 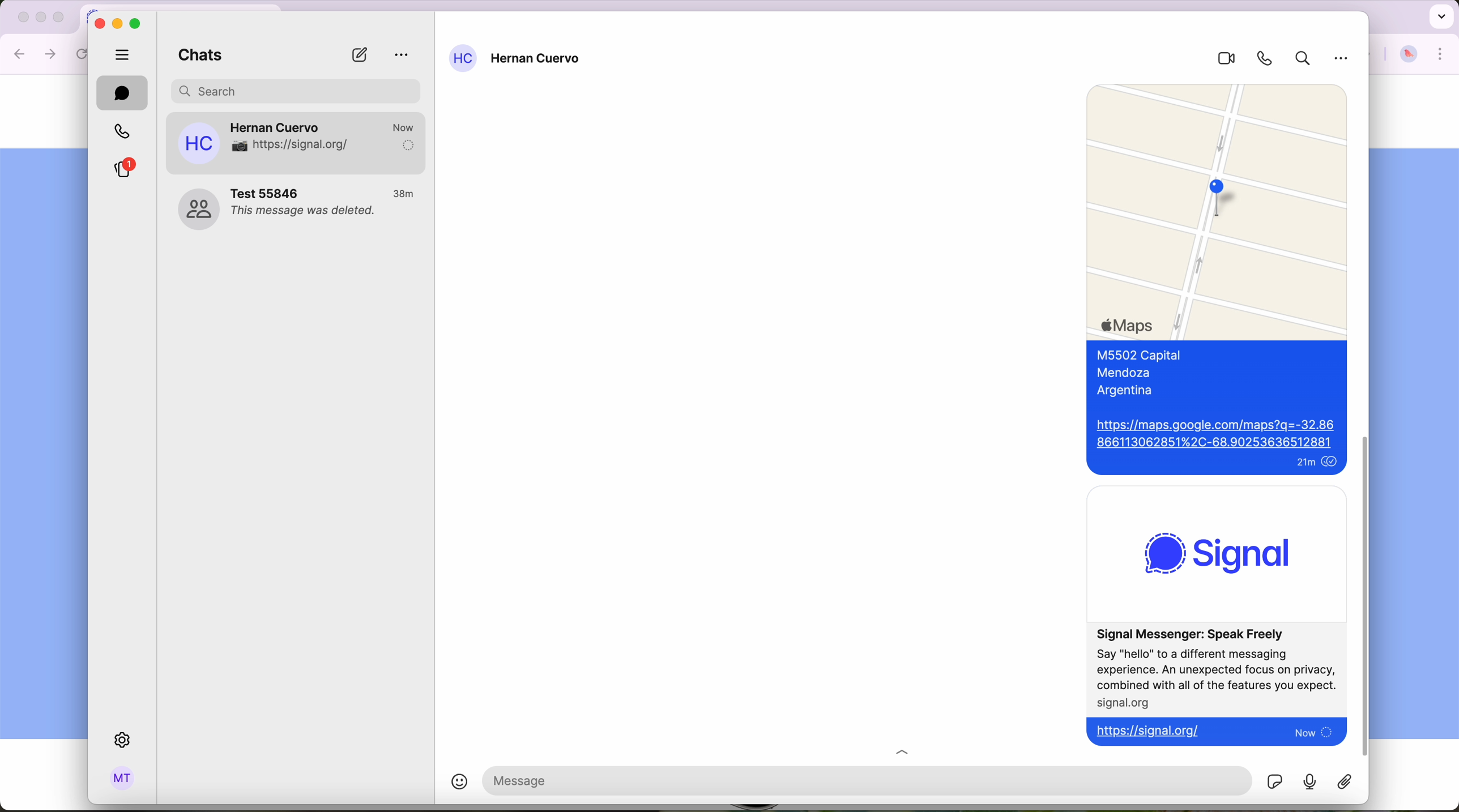 I want to click on signal.org, so click(x=1125, y=703).